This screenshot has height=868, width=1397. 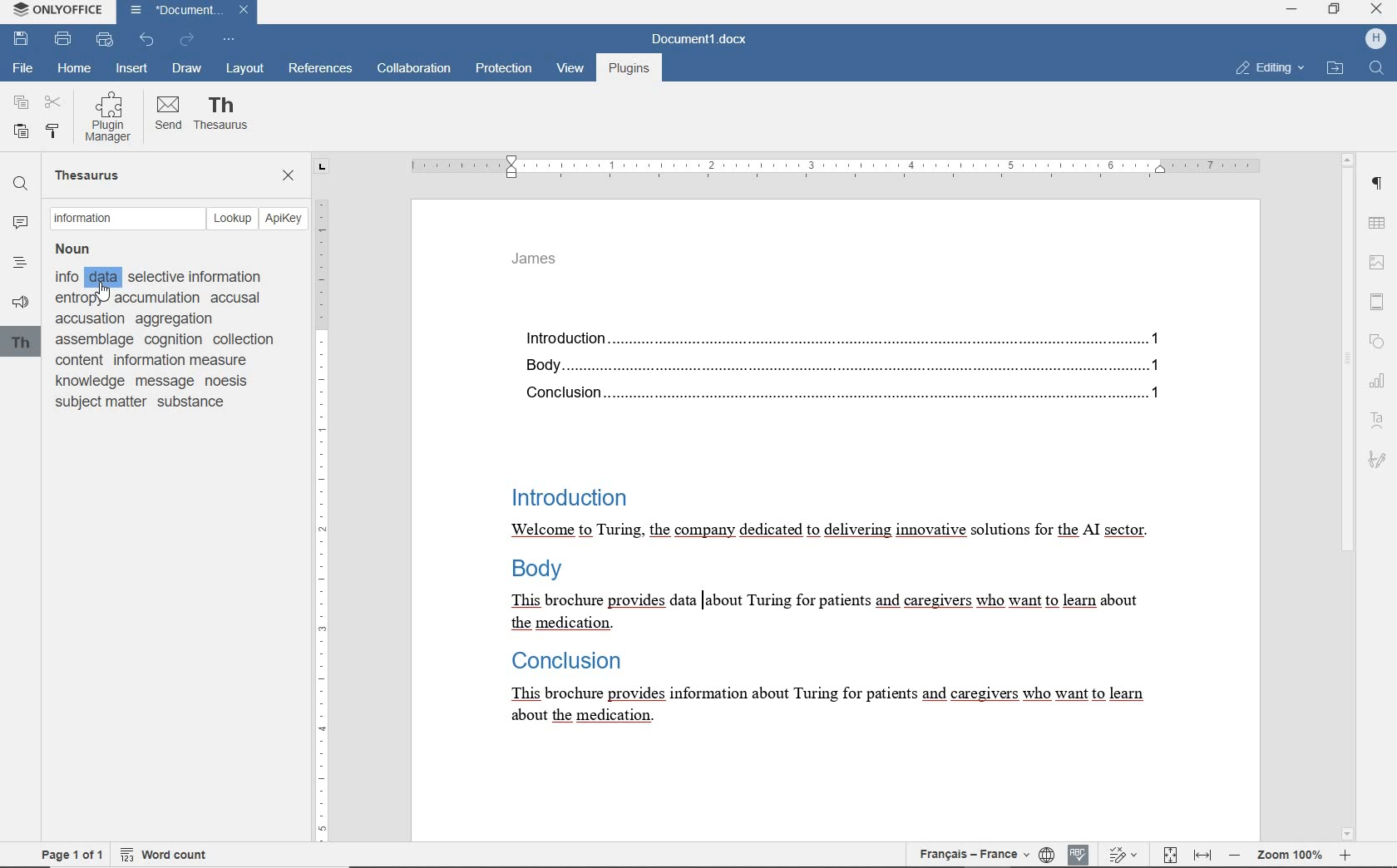 I want to click on DOCUMENT NAME, so click(x=187, y=12).